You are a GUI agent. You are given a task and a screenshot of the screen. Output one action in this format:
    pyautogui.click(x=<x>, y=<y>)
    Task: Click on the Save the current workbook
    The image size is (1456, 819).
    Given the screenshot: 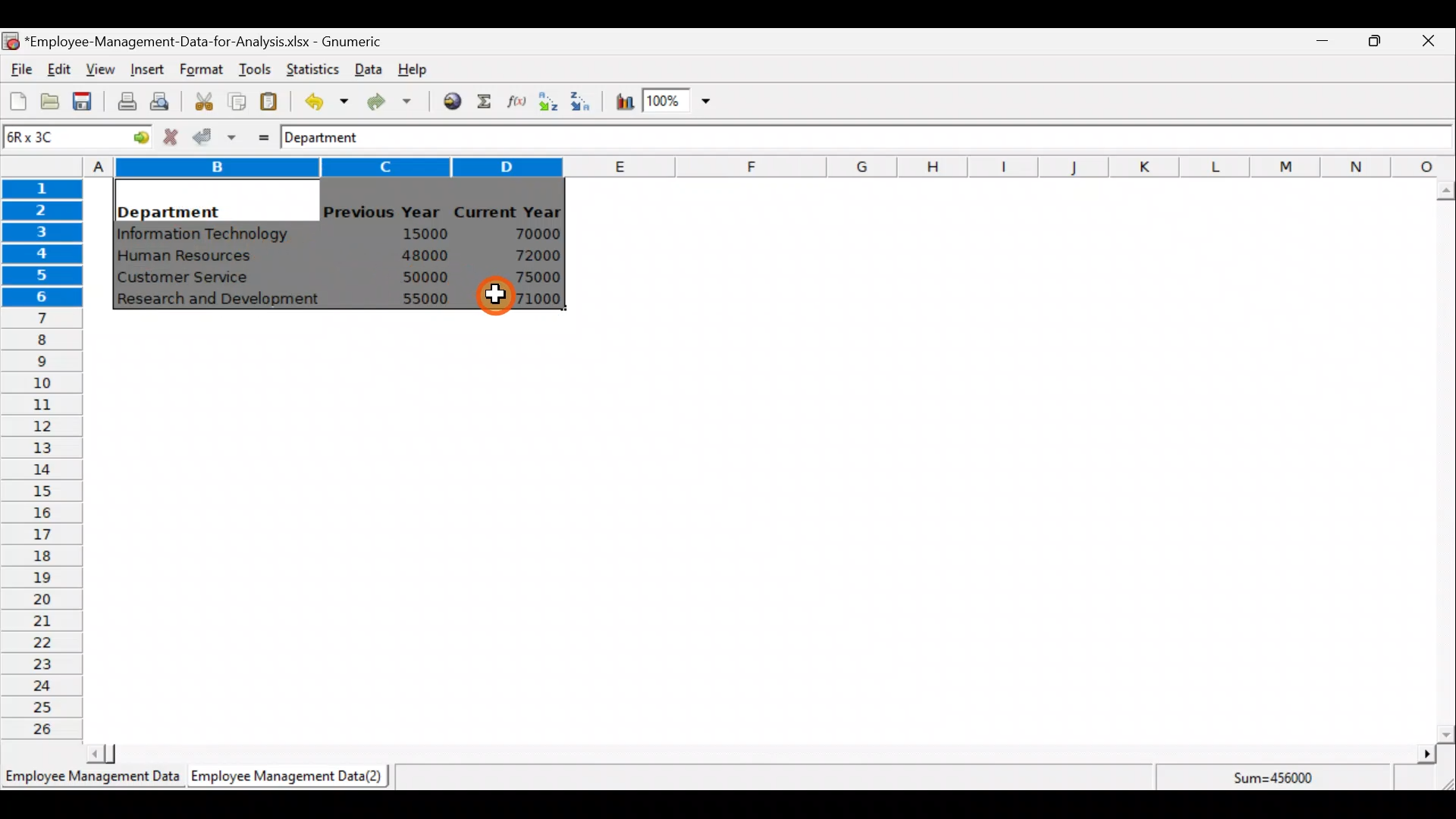 What is the action you would take?
    pyautogui.click(x=87, y=104)
    